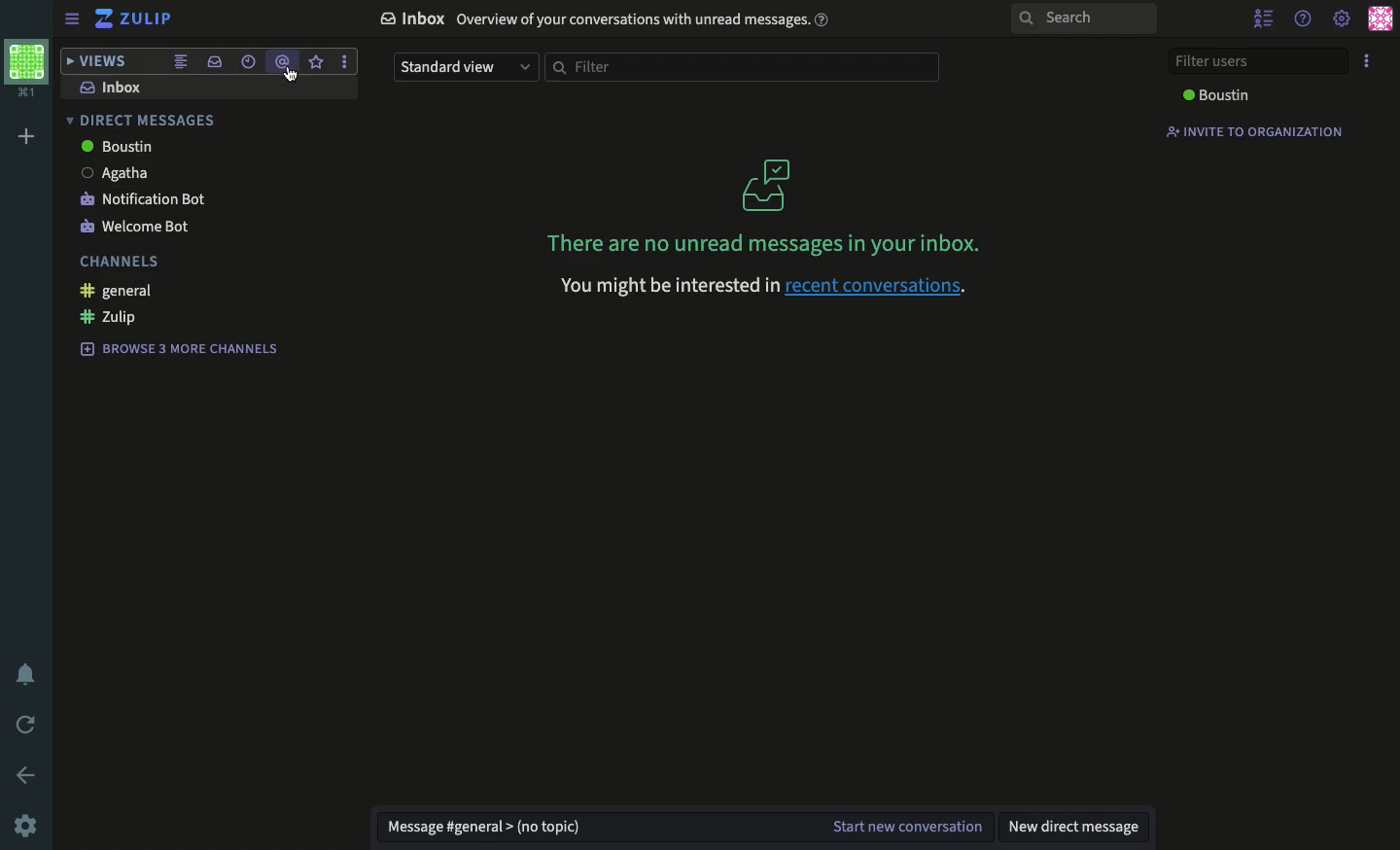 The image size is (1400, 850). I want to click on star, so click(317, 62).